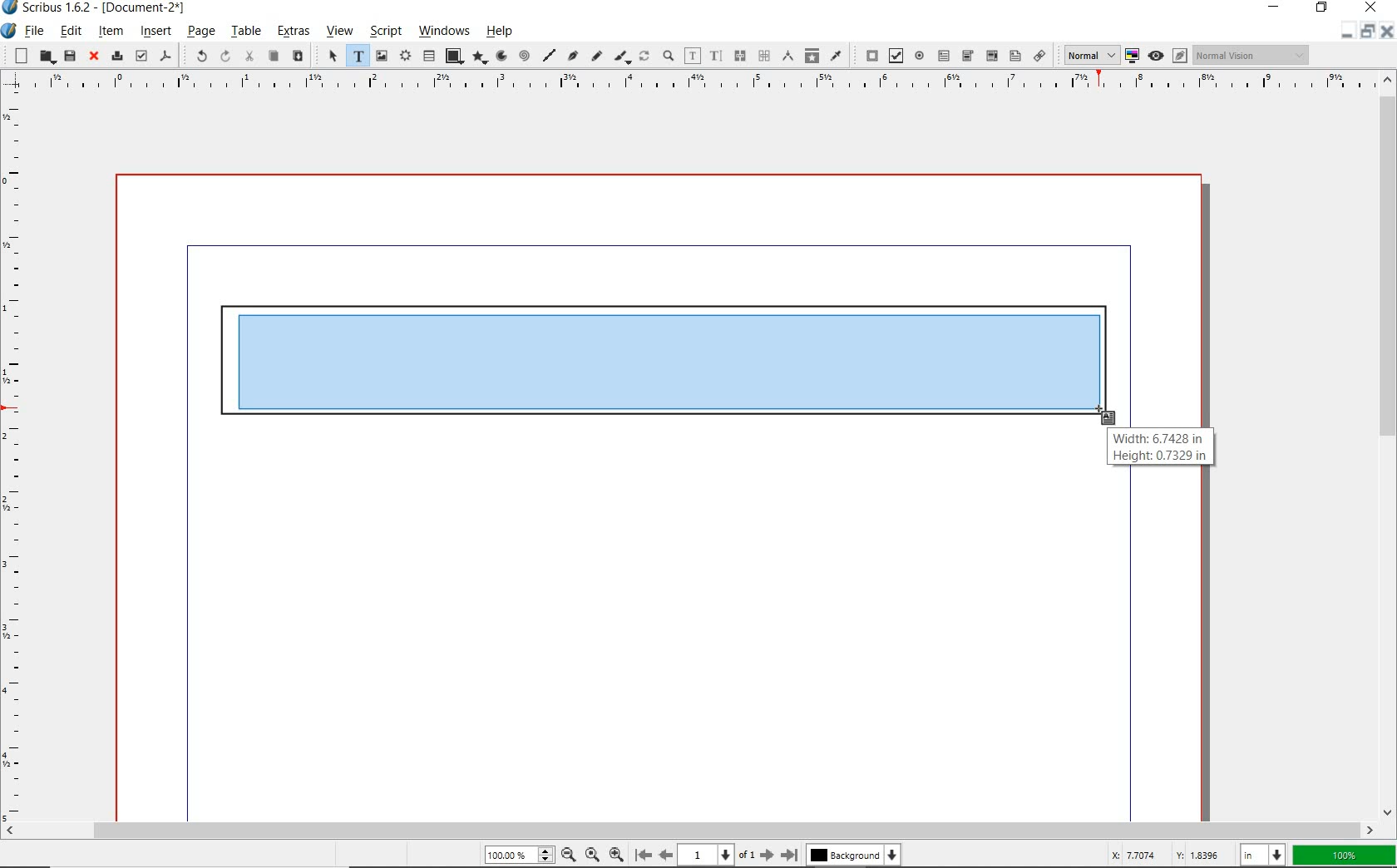  What do you see at coordinates (481, 58) in the screenshot?
I see `polygon` at bounding box center [481, 58].